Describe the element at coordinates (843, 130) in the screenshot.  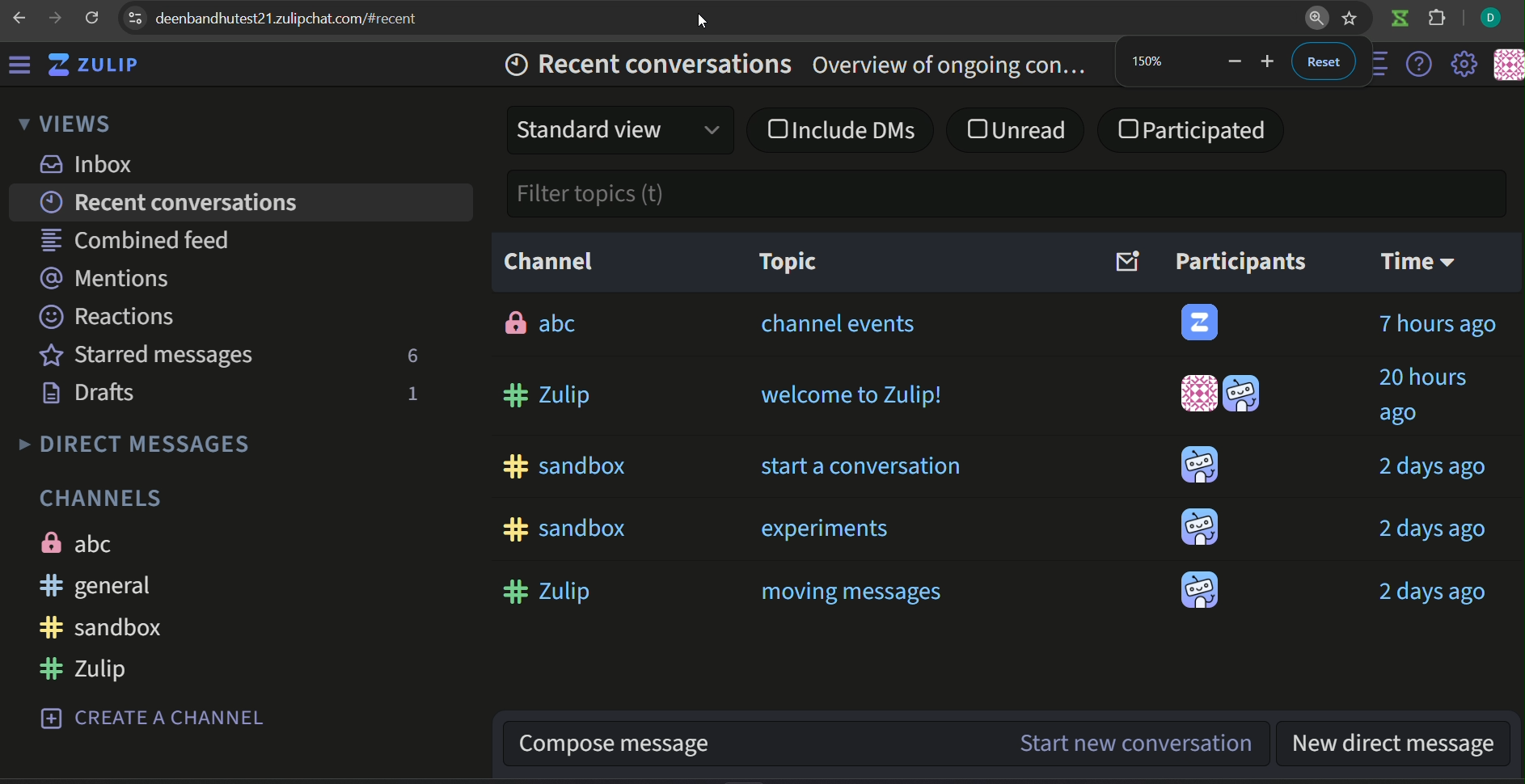
I see `Include DMs` at that location.